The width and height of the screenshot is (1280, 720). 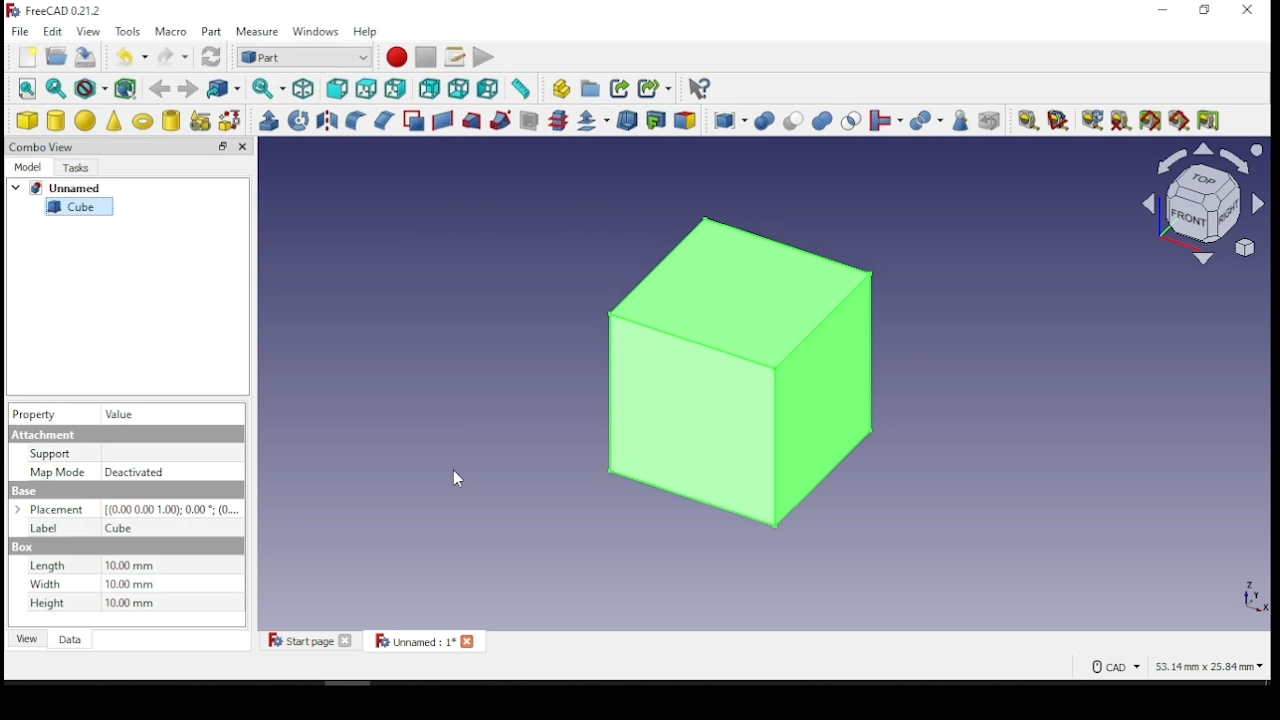 What do you see at coordinates (1029, 120) in the screenshot?
I see `measure linear` at bounding box center [1029, 120].